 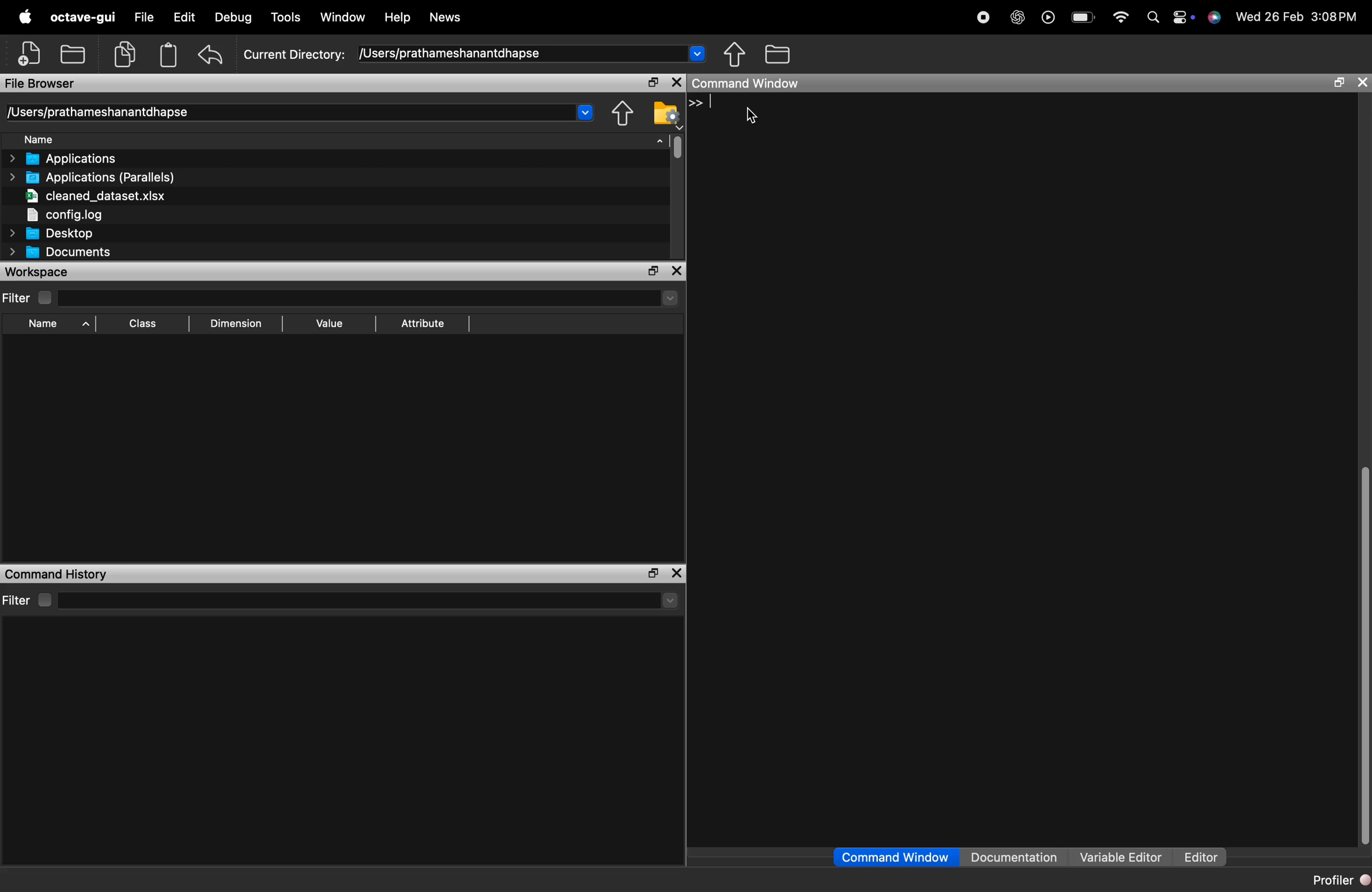 What do you see at coordinates (62, 216) in the screenshot?
I see `config.log` at bounding box center [62, 216].